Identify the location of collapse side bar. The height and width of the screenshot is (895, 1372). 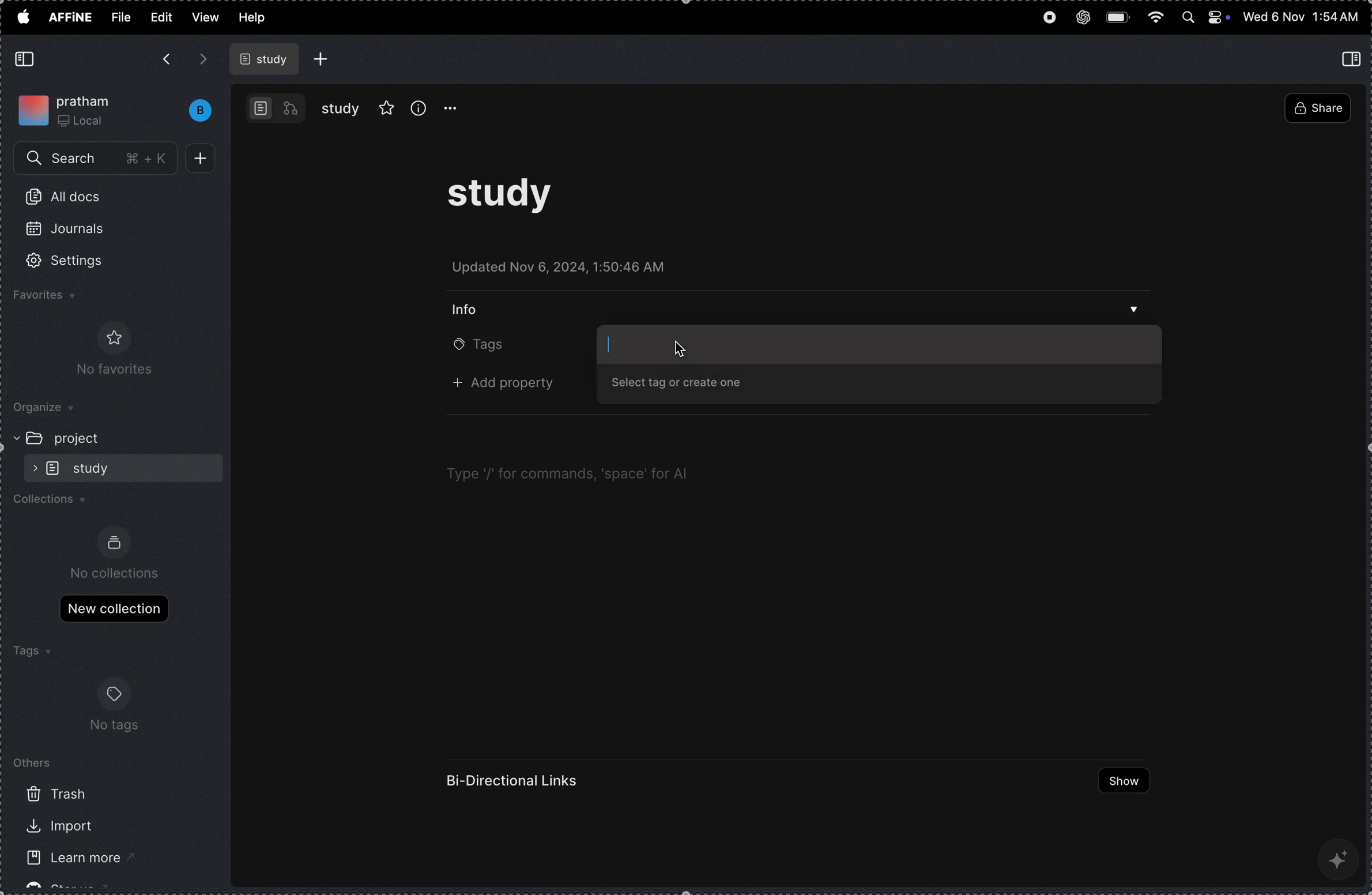
(27, 59).